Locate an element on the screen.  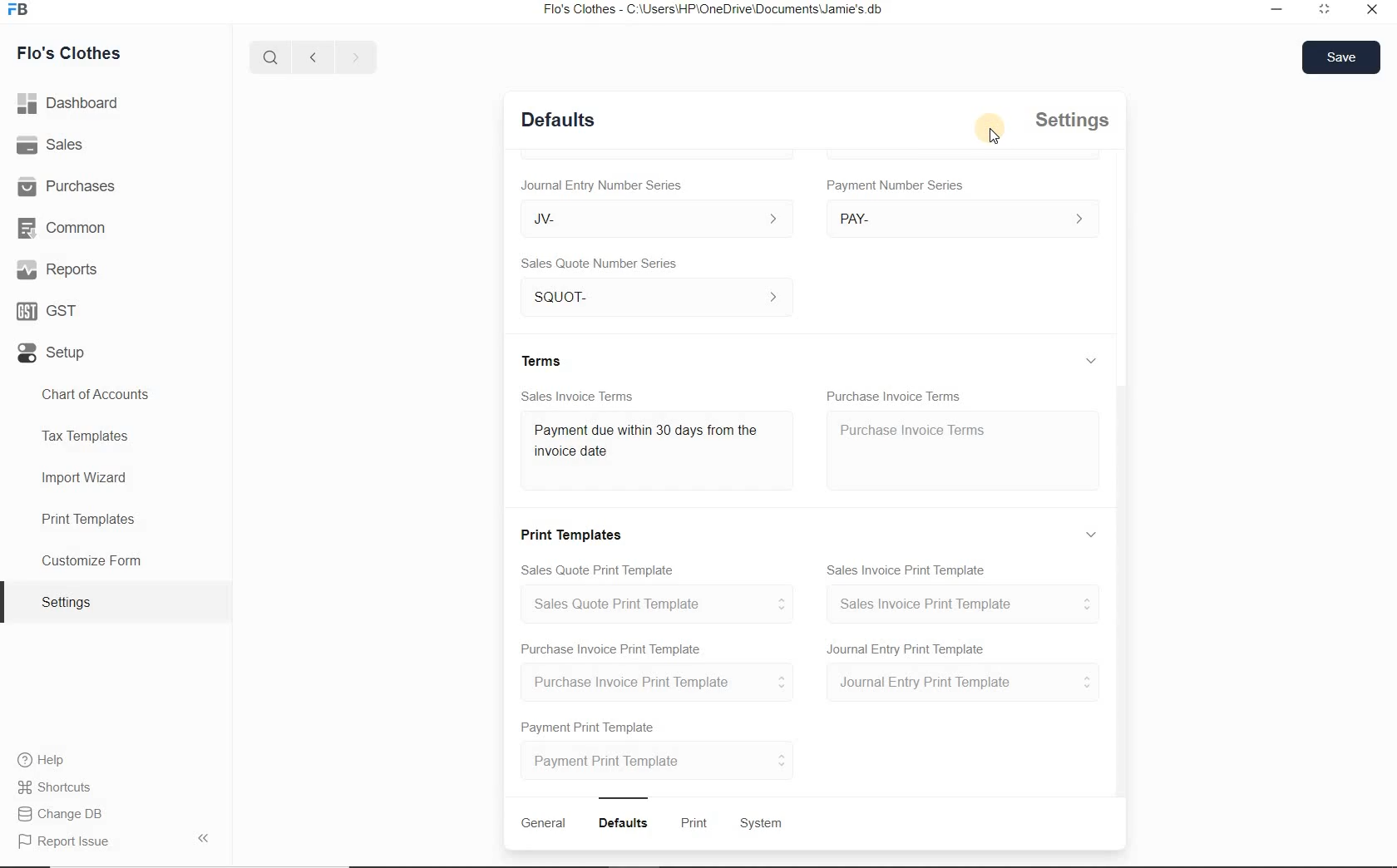
Payment Print Template is located at coordinates (659, 759).